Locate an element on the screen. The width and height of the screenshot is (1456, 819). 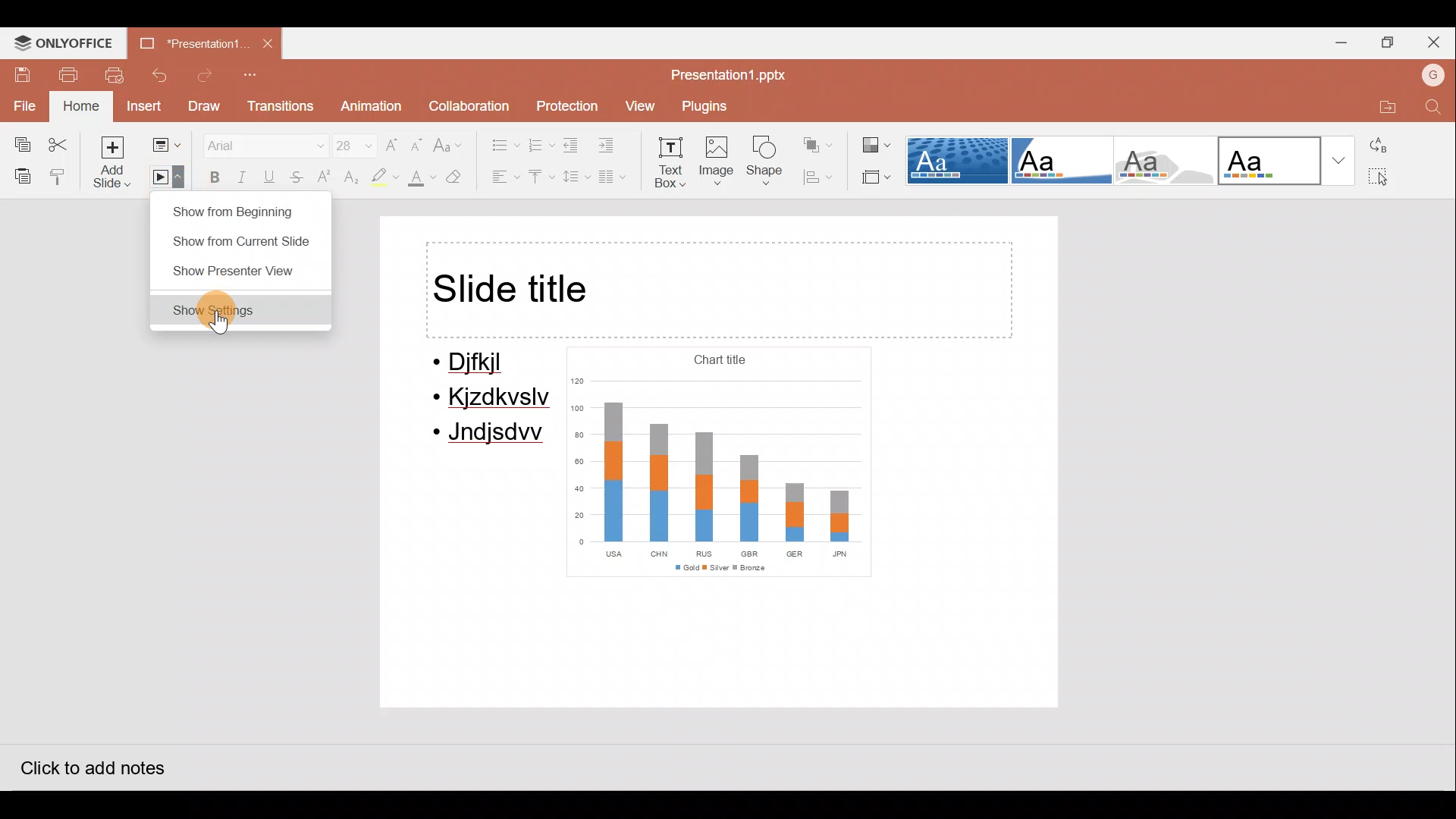
Arrange shape is located at coordinates (814, 144).